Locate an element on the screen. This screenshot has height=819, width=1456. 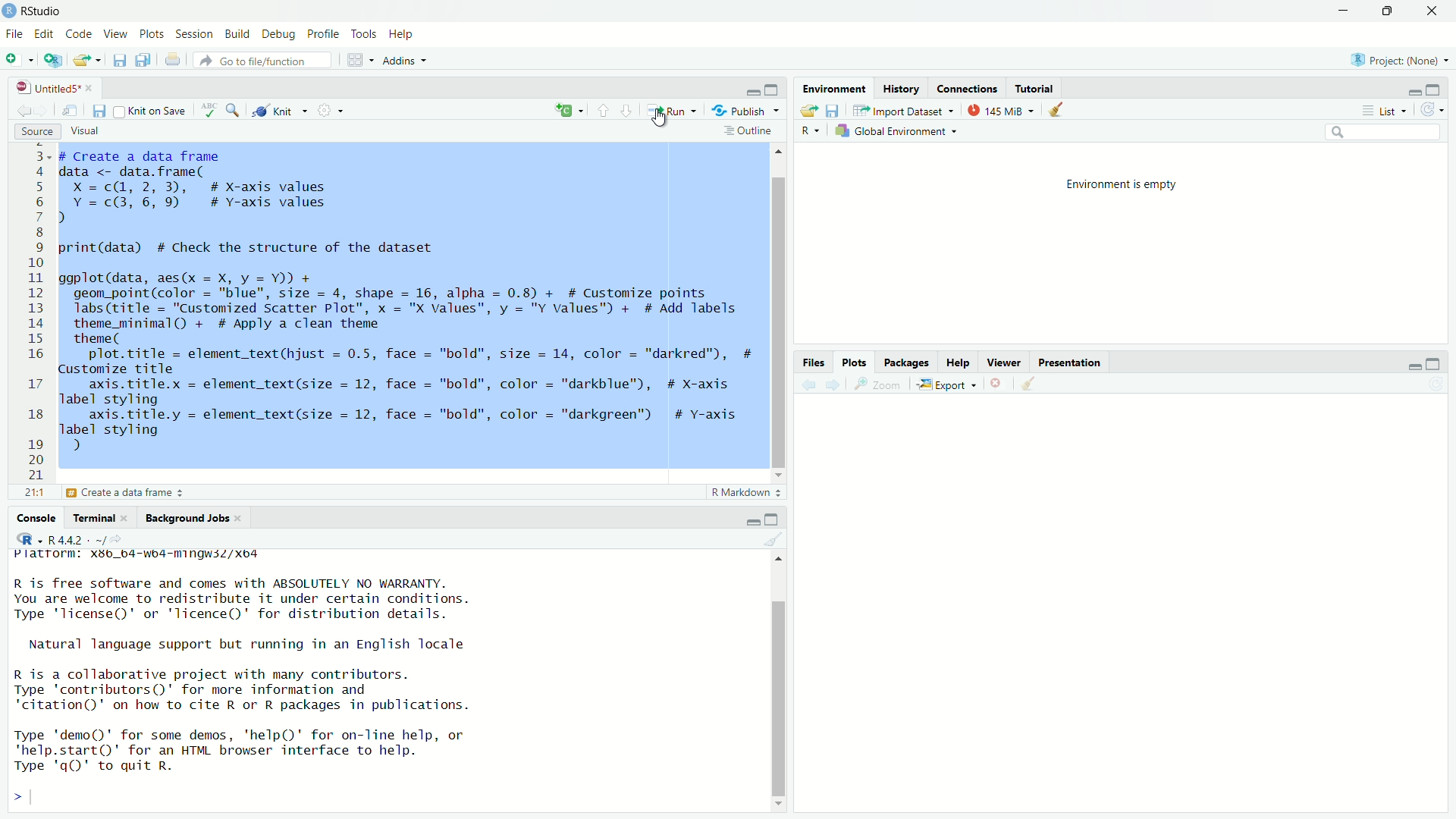
Presentation is located at coordinates (1066, 365).